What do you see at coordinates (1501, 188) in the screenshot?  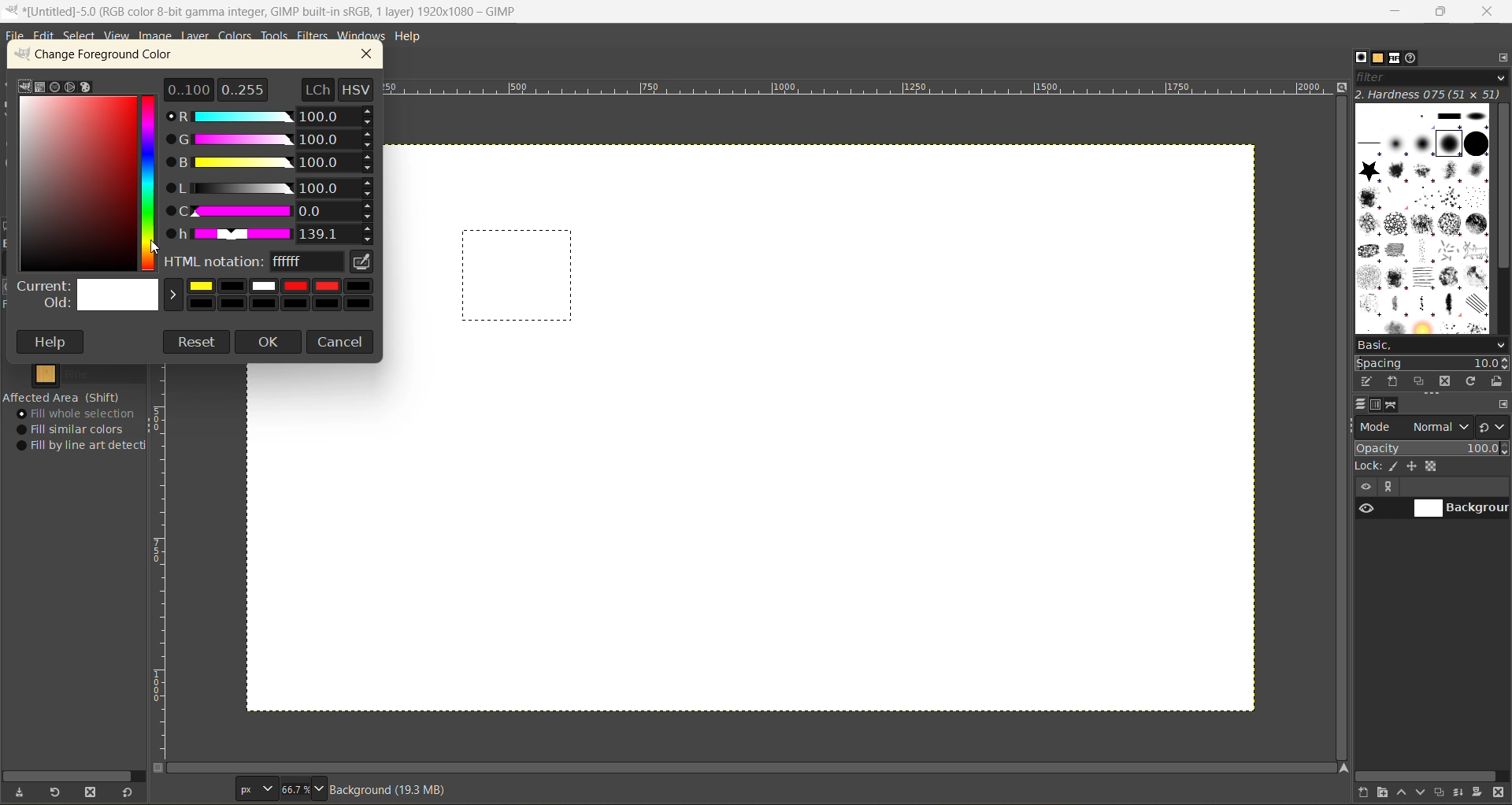 I see `vertical scroll bar` at bounding box center [1501, 188].